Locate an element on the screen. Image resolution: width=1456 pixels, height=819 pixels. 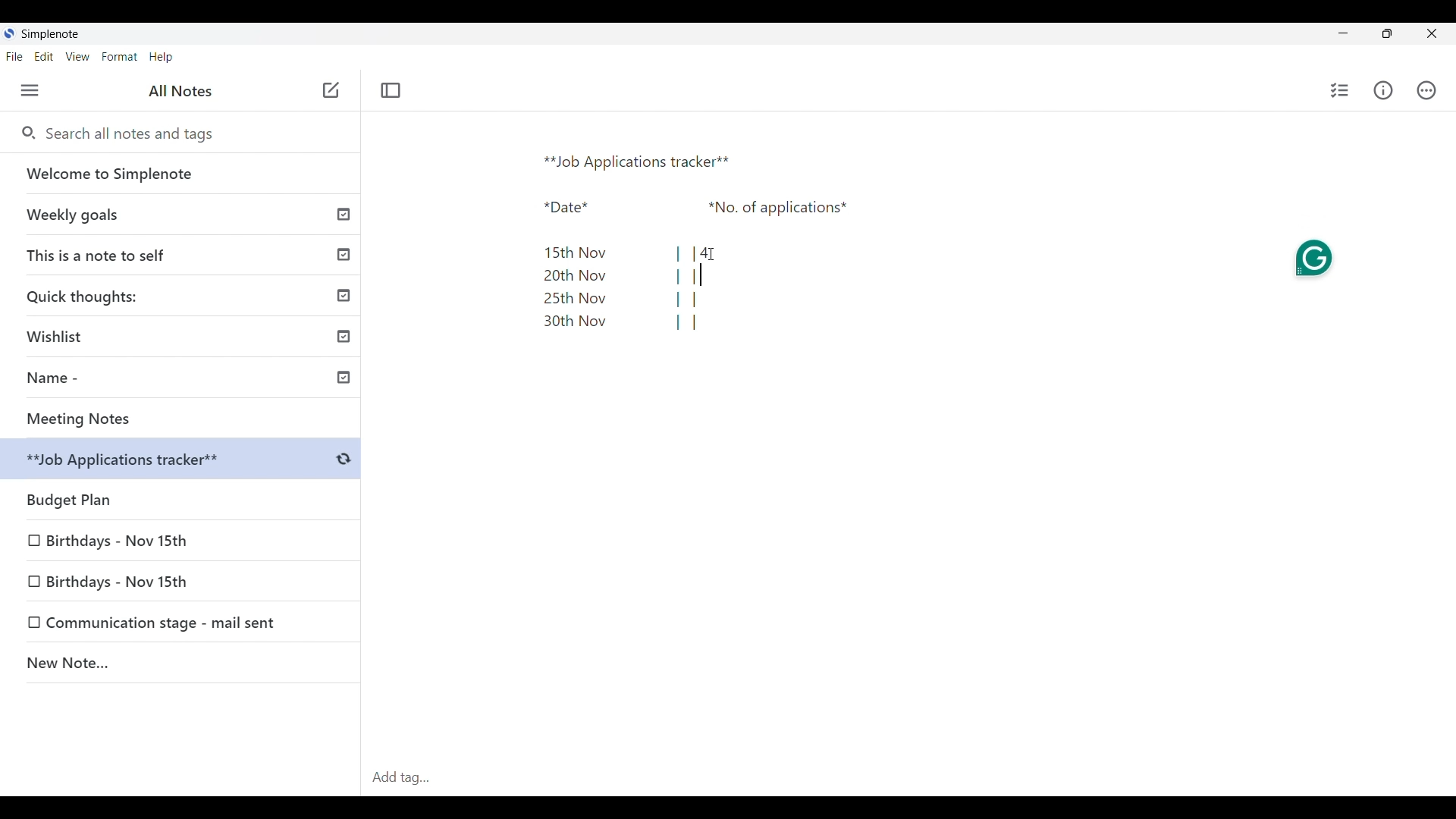
Birthdays - Nov 15th is located at coordinates (119, 538).